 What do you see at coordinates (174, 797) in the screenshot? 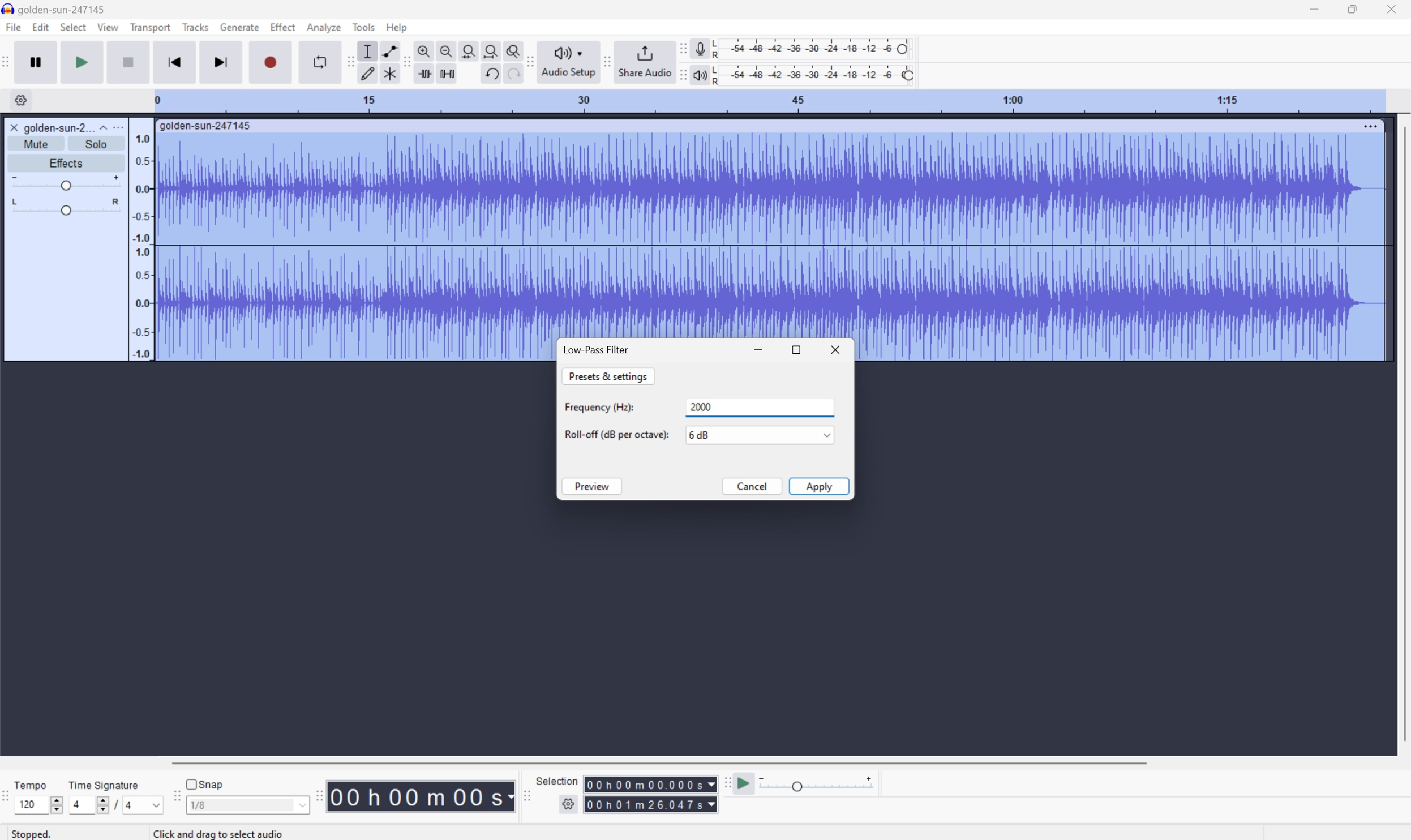
I see `Audacity Snapping toobar` at bounding box center [174, 797].